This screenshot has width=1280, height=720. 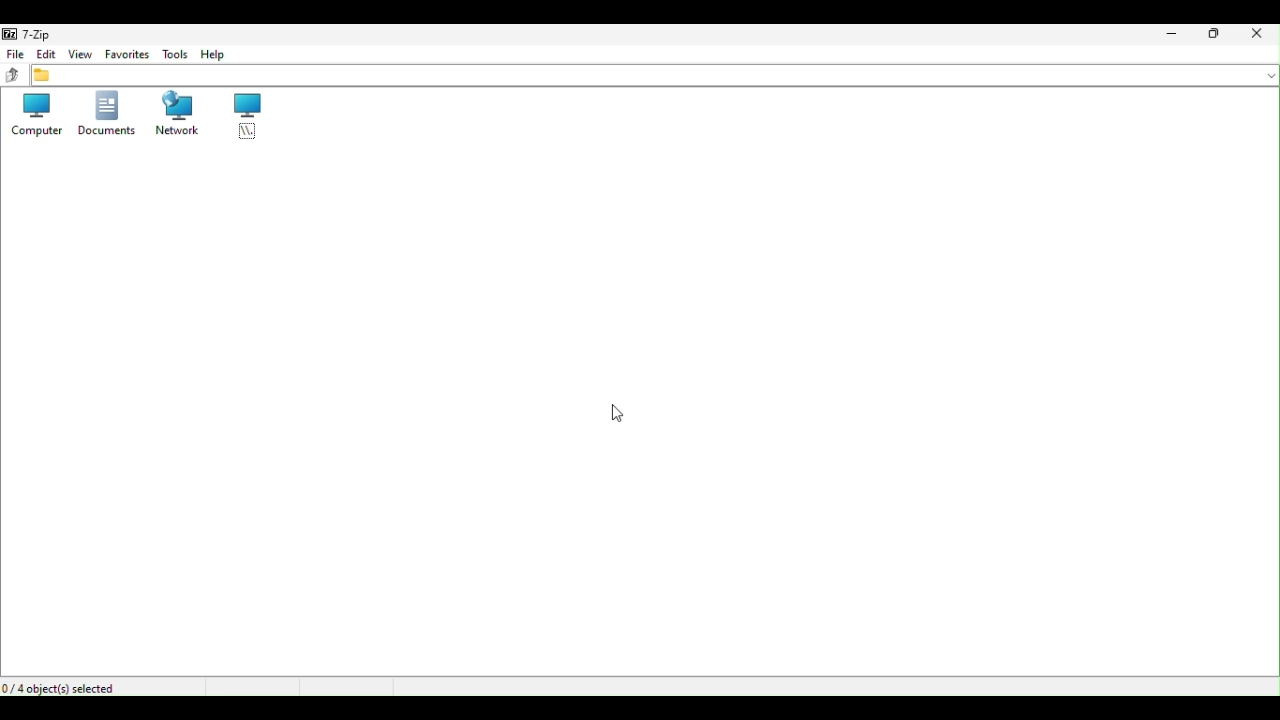 What do you see at coordinates (175, 56) in the screenshot?
I see `Tools` at bounding box center [175, 56].